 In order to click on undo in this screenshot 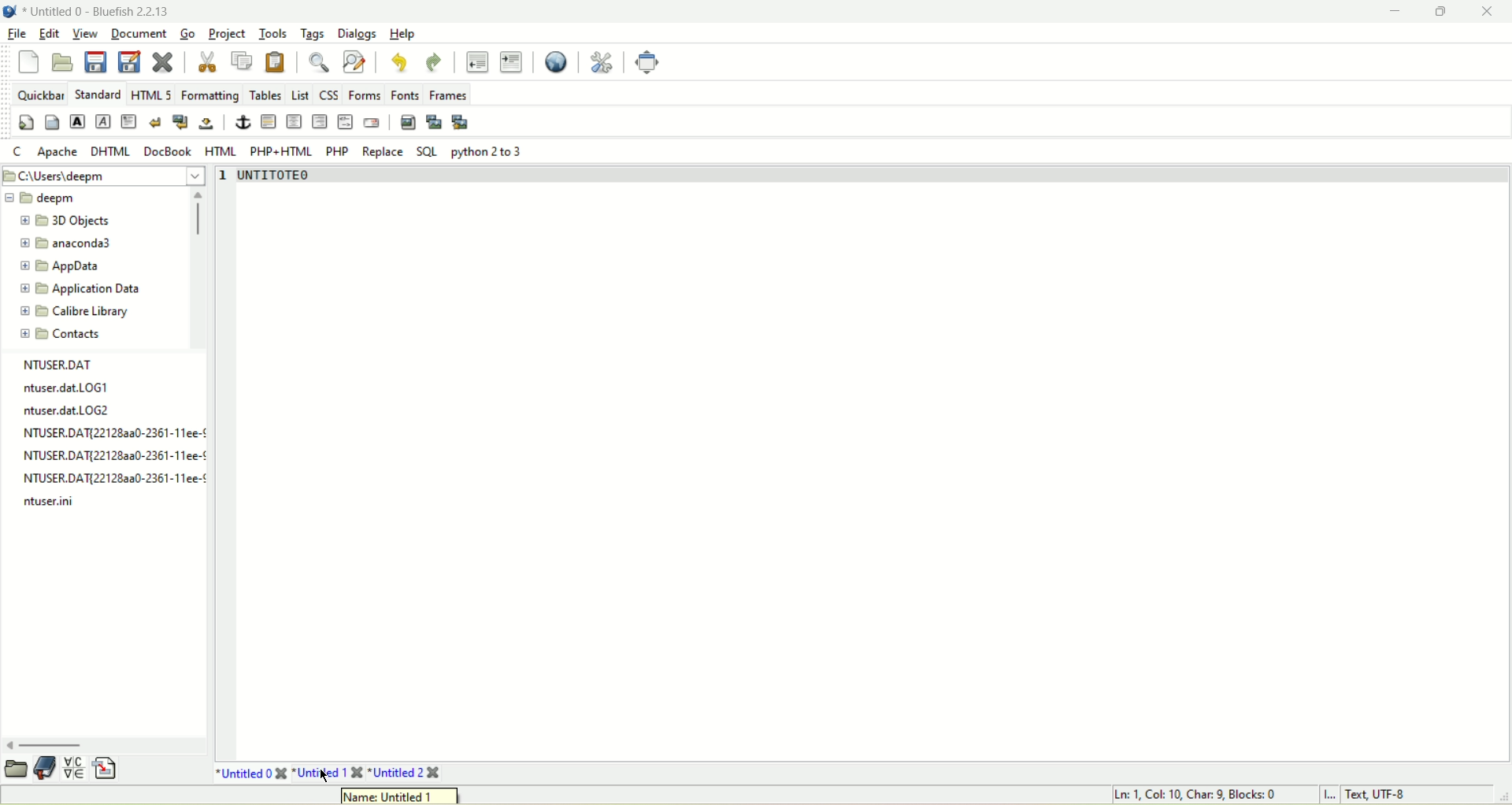, I will do `click(400, 60)`.